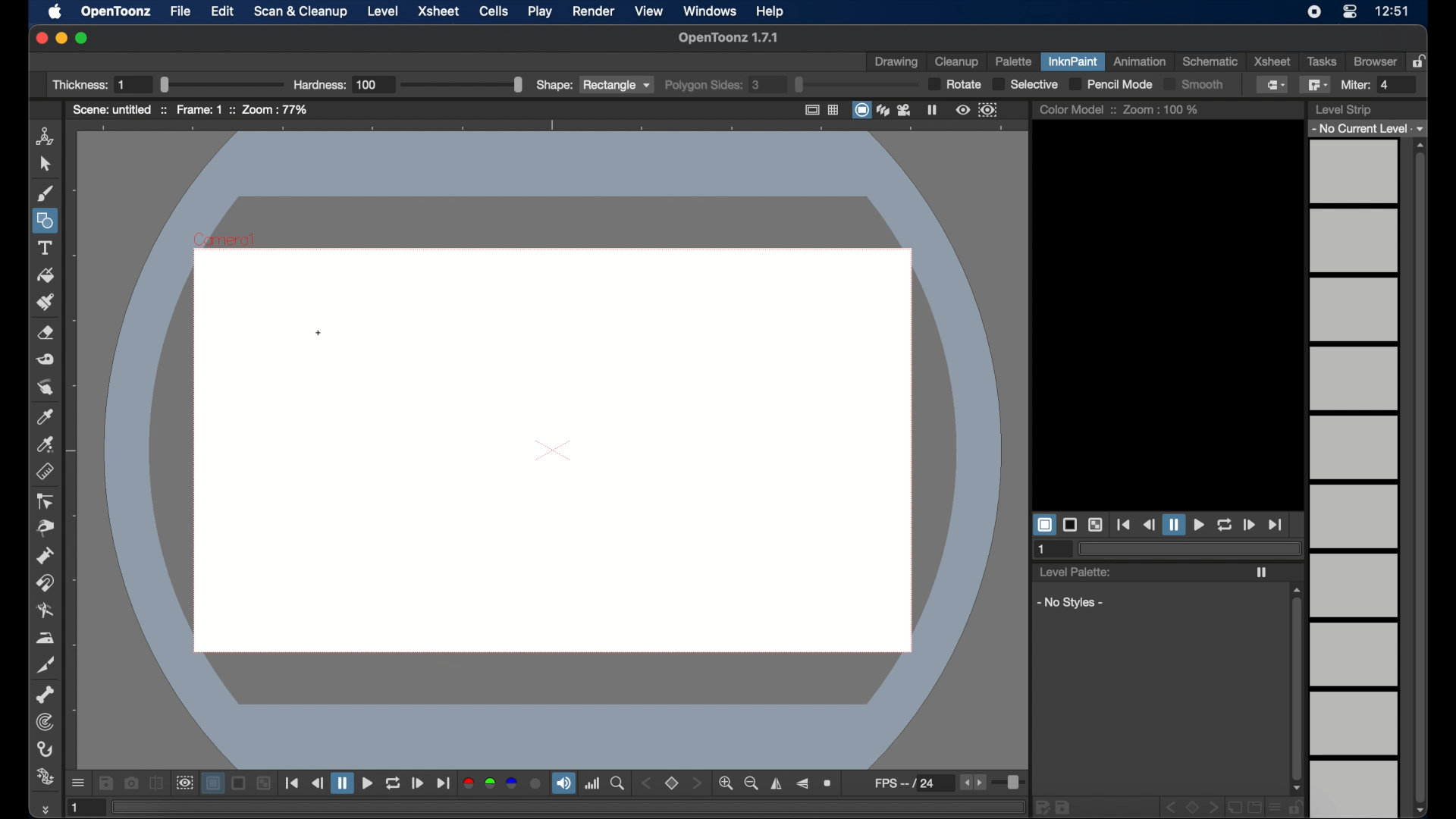 The width and height of the screenshot is (1456, 819). Describe the element at coordinates (1070, 524) in the screenshot. I see `black background` at that location.